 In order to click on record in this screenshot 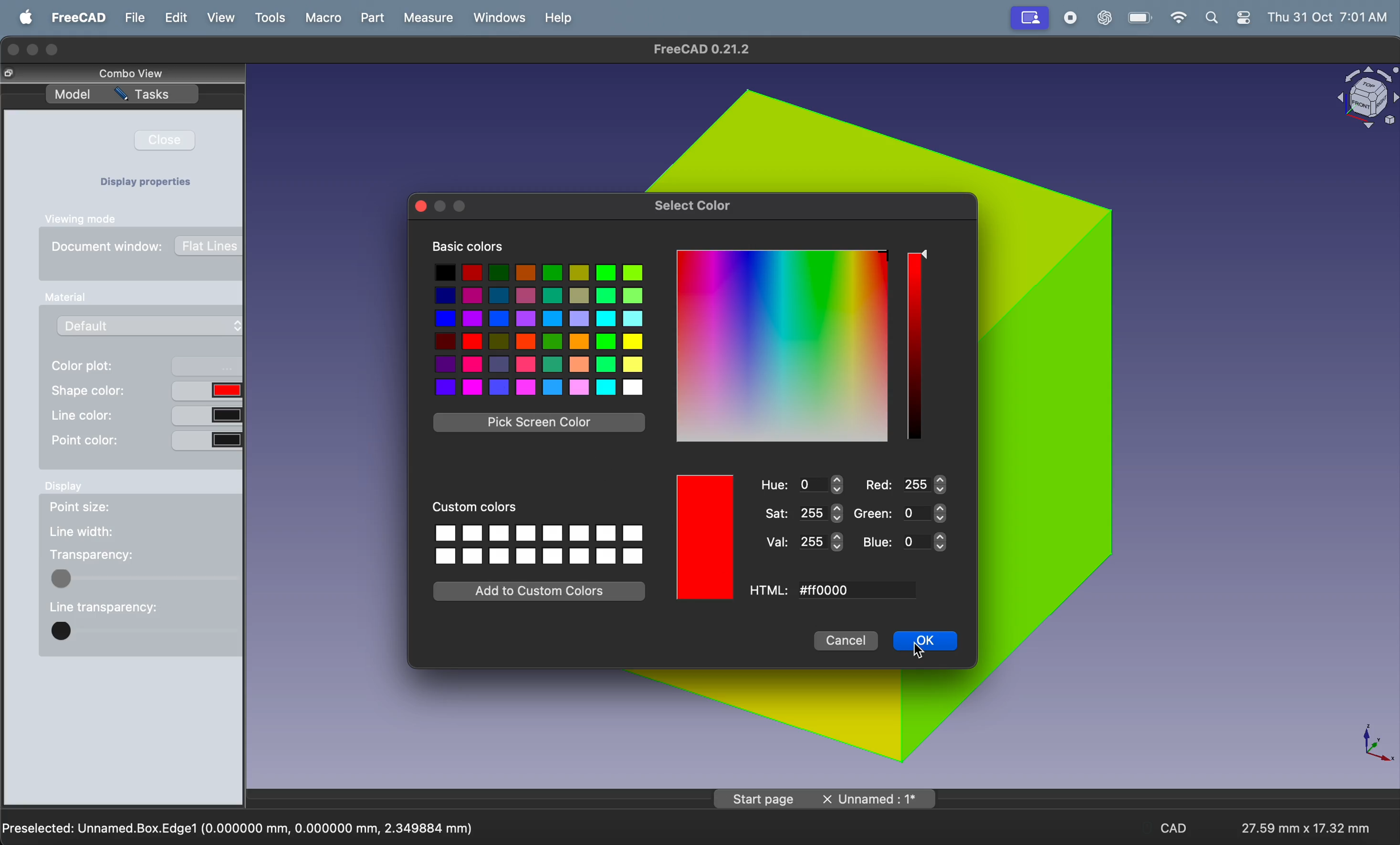, I will do `click(1069, 19)`.